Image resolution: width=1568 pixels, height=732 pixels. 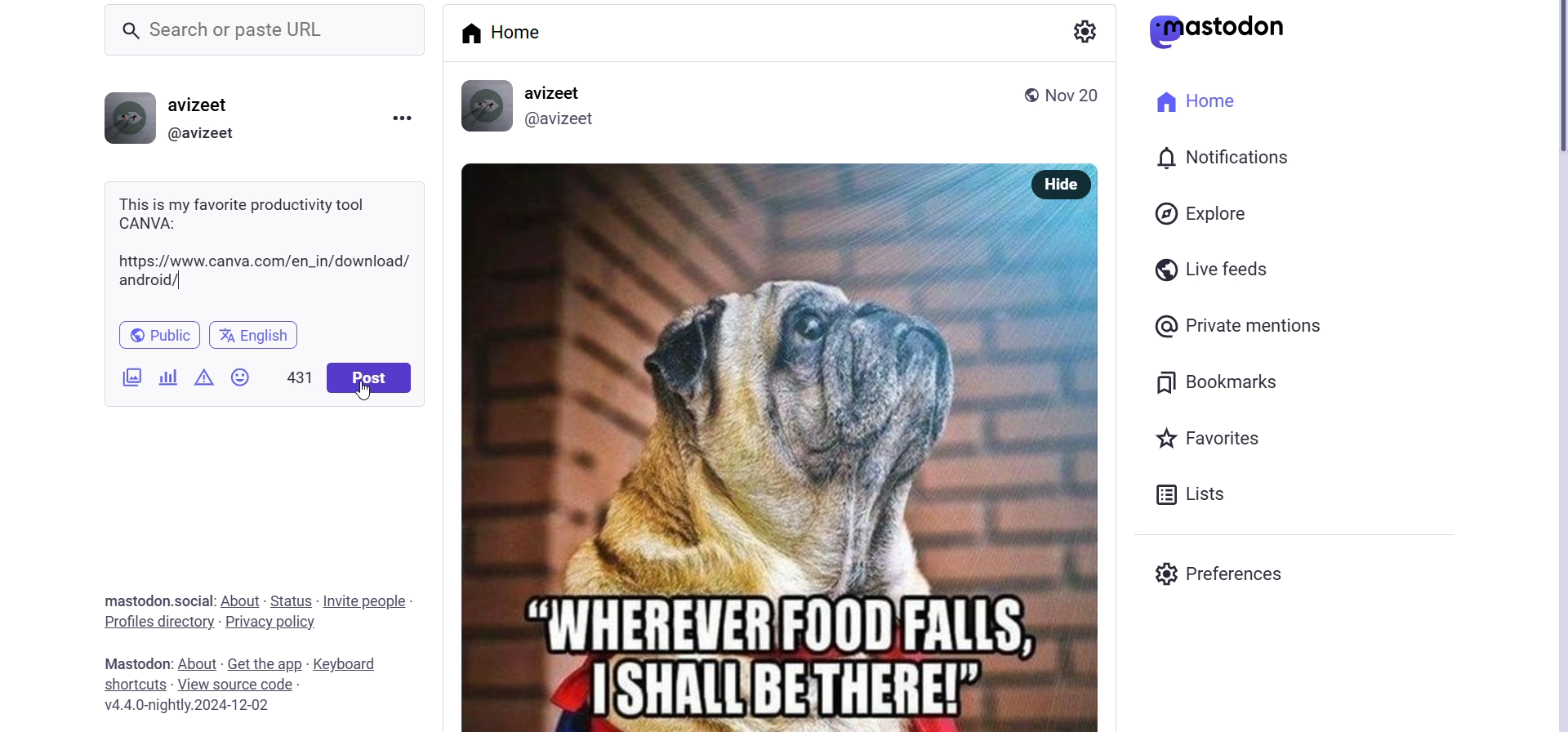 What do you see at coordinates (563, 119) in the screenshot?
I see `@avizeet` at bounding box center [563, 119].